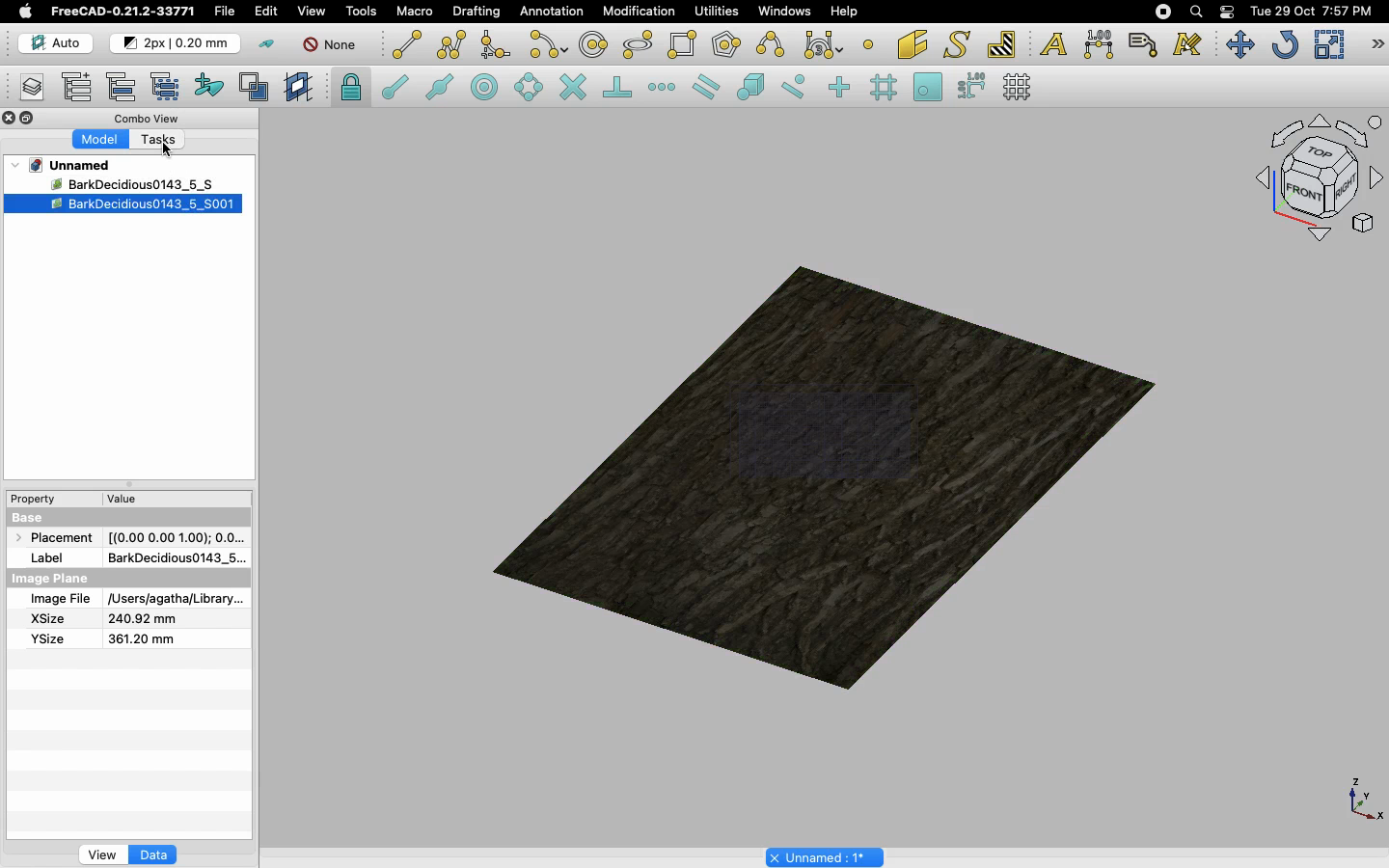 This screenshot has width=1389, height=868. Describe the element at coordinates (225, 12) in the screenshot. I see `File` at that location.